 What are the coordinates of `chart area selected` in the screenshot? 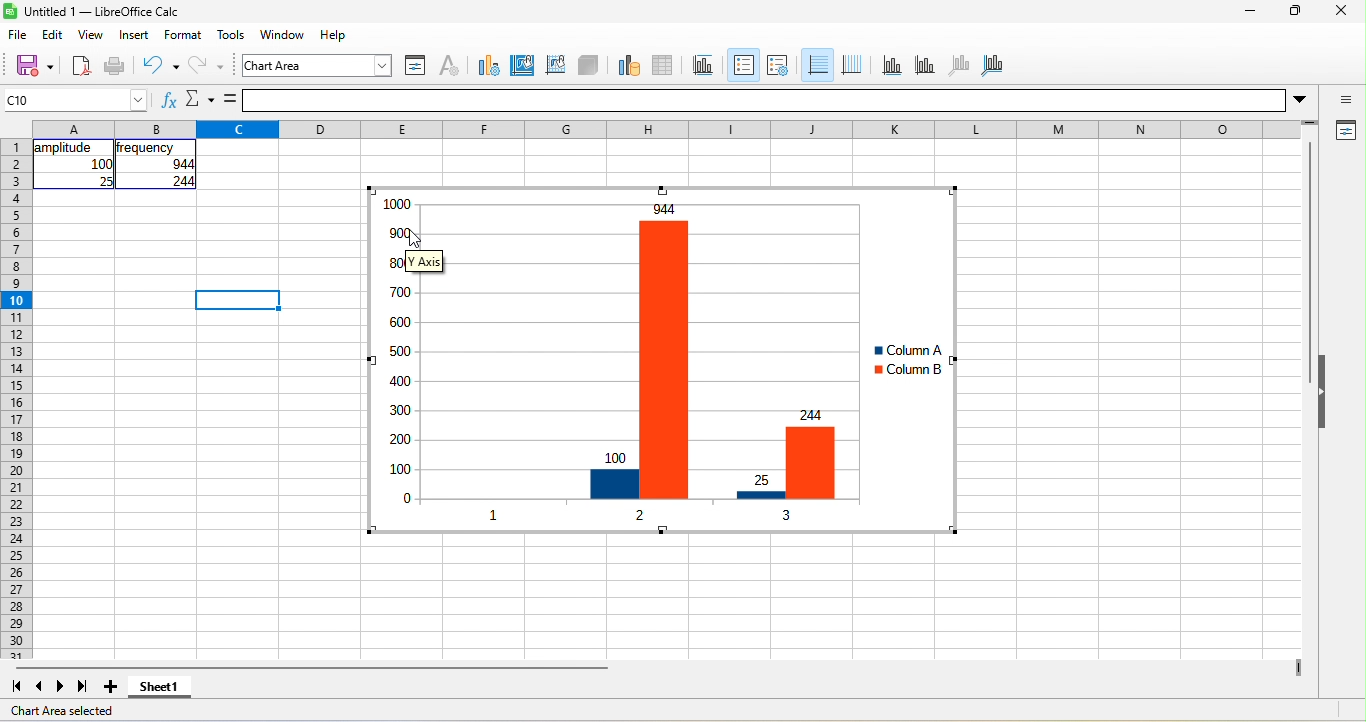 It's located at (70, 711).